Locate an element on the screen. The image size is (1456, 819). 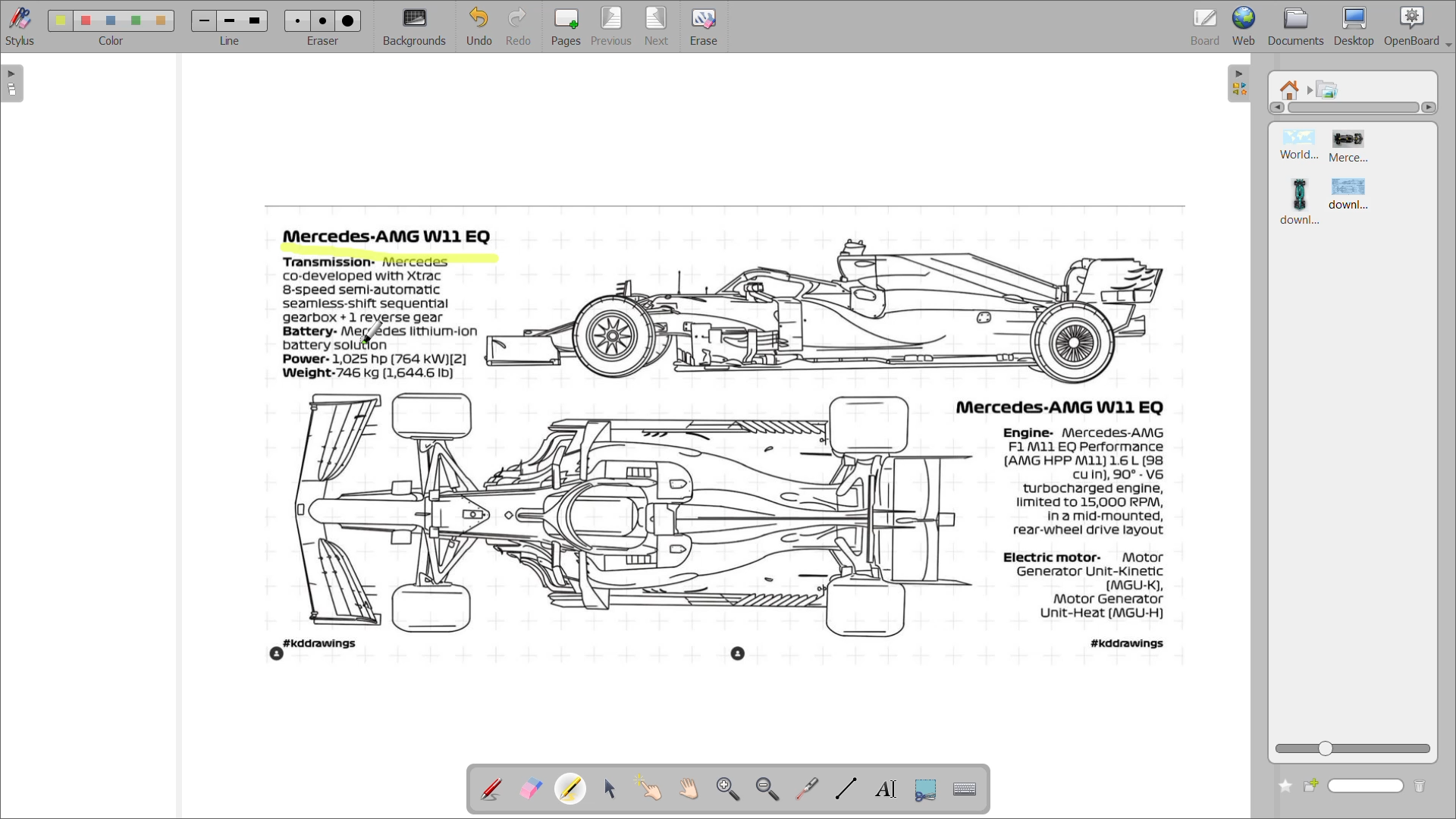
stylus is located at coordinates (20, 27).